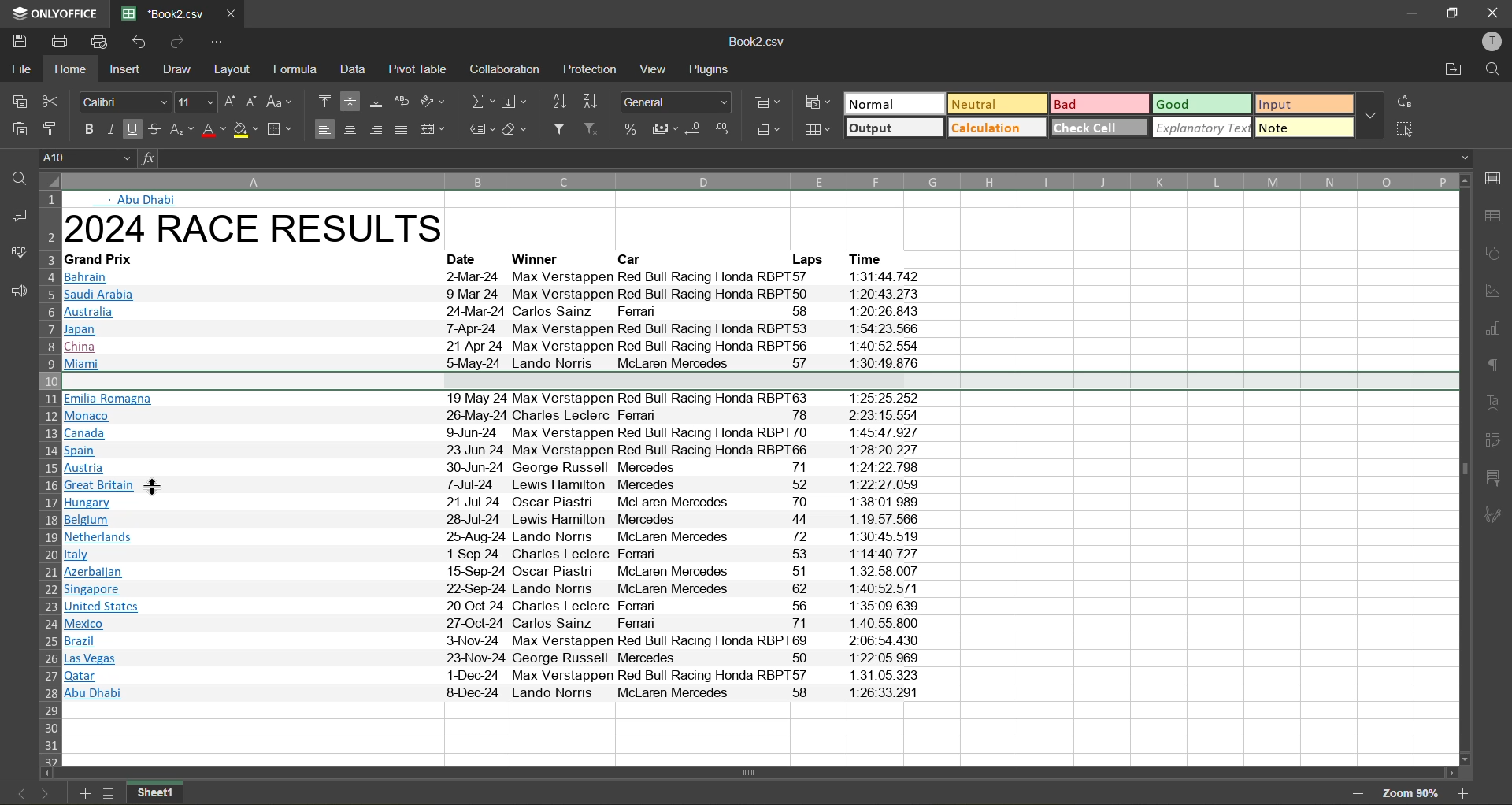 The image size is (1512, 805). I want to click on italic, so click(110, 129).